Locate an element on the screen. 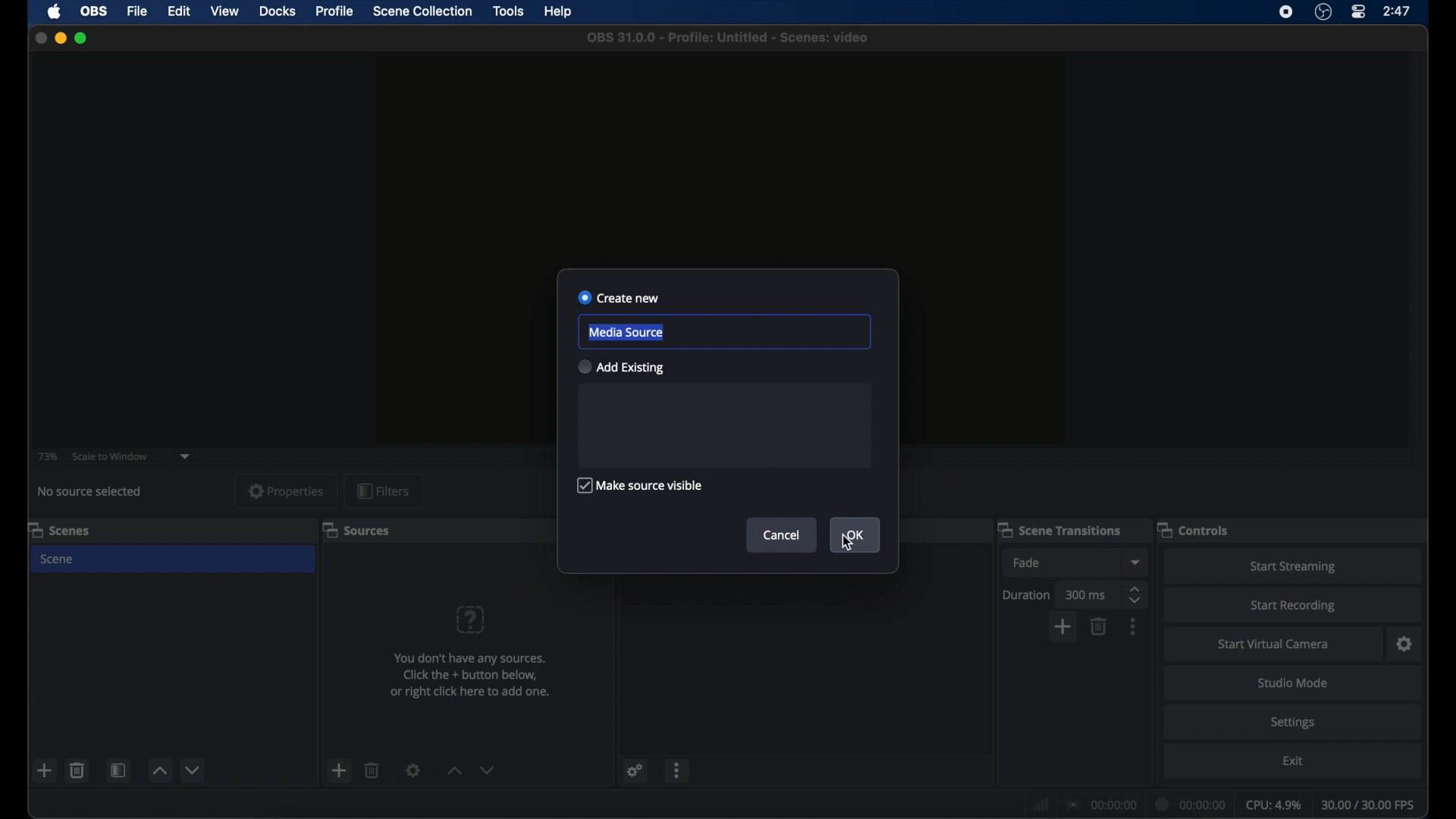 The width and height of the screenshot is (1456, 819). cpu is located at coordinates (1273, 805).